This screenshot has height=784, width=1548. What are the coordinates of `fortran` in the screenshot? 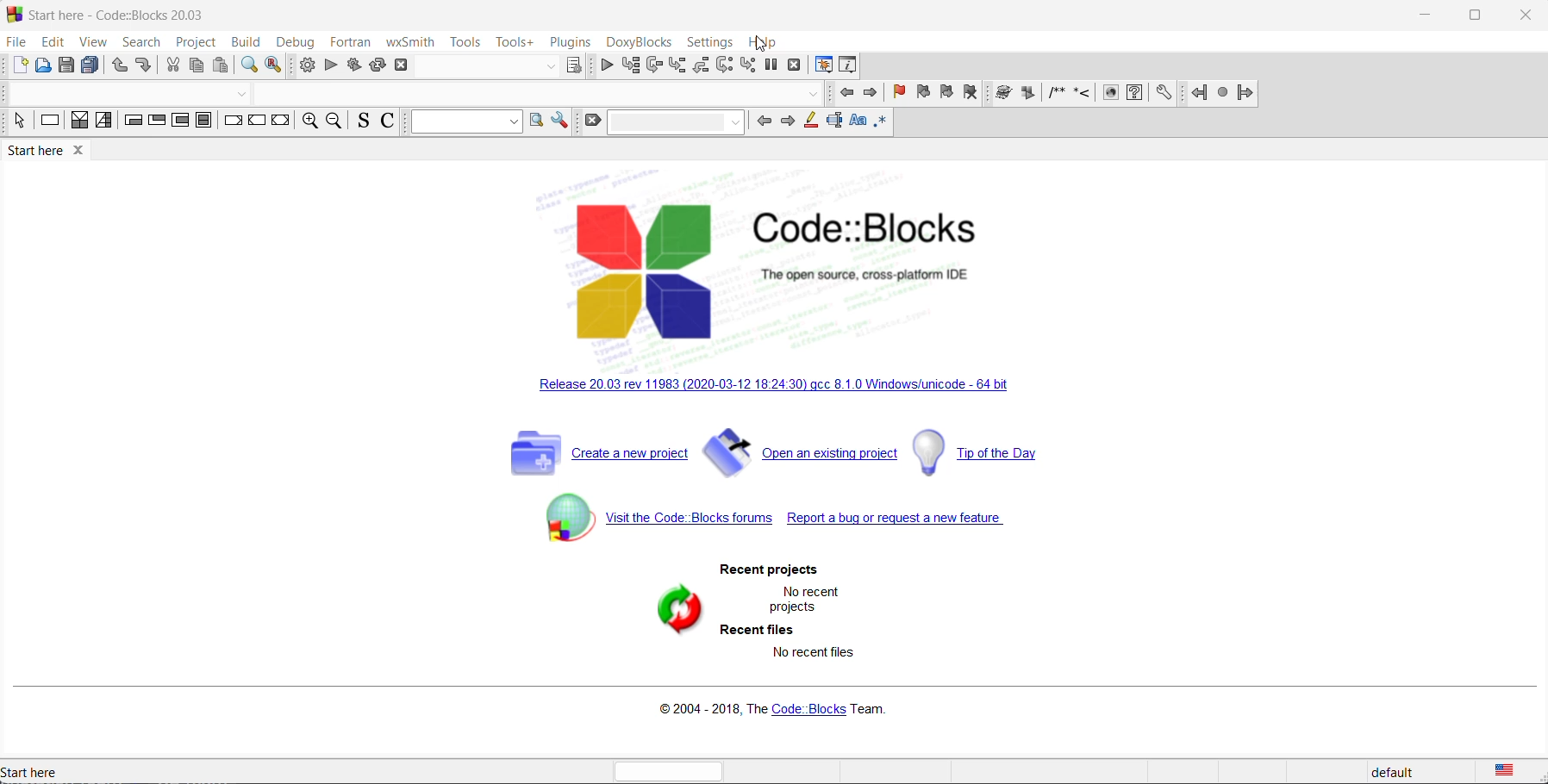 It's located at (350, 42).